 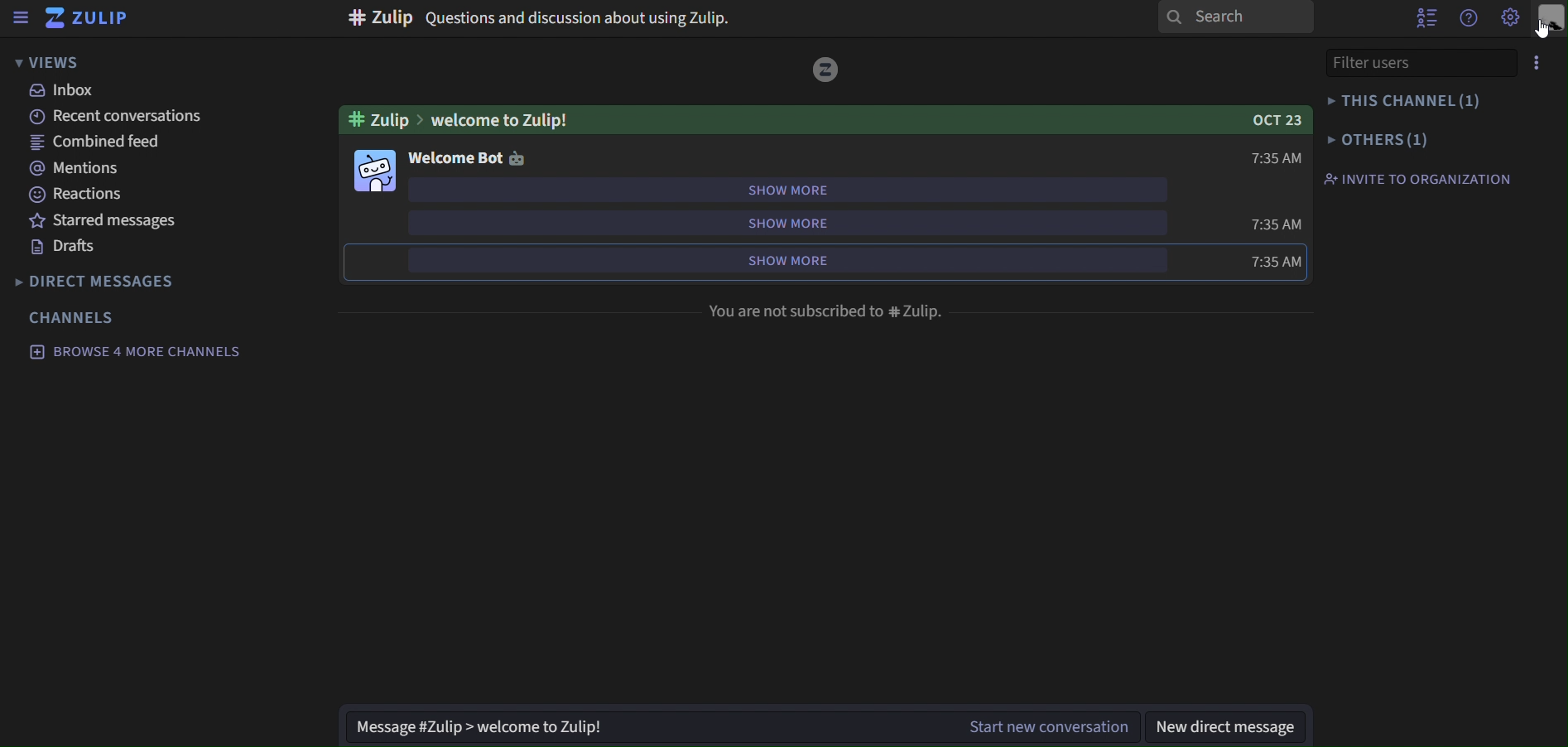 I want to click on show more, so click(x=784, y=224).